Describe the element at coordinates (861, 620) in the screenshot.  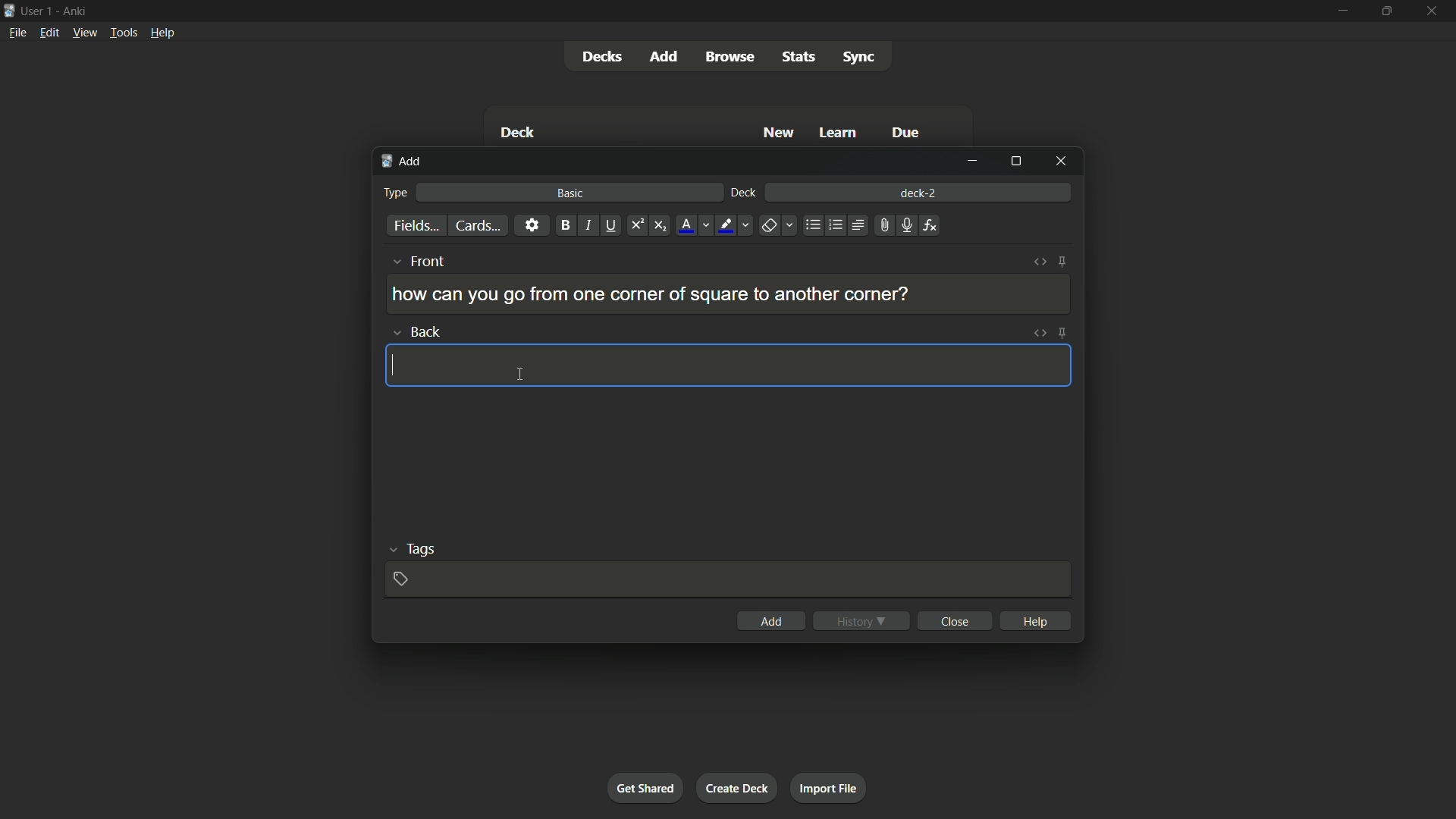
I see `history` at that location.